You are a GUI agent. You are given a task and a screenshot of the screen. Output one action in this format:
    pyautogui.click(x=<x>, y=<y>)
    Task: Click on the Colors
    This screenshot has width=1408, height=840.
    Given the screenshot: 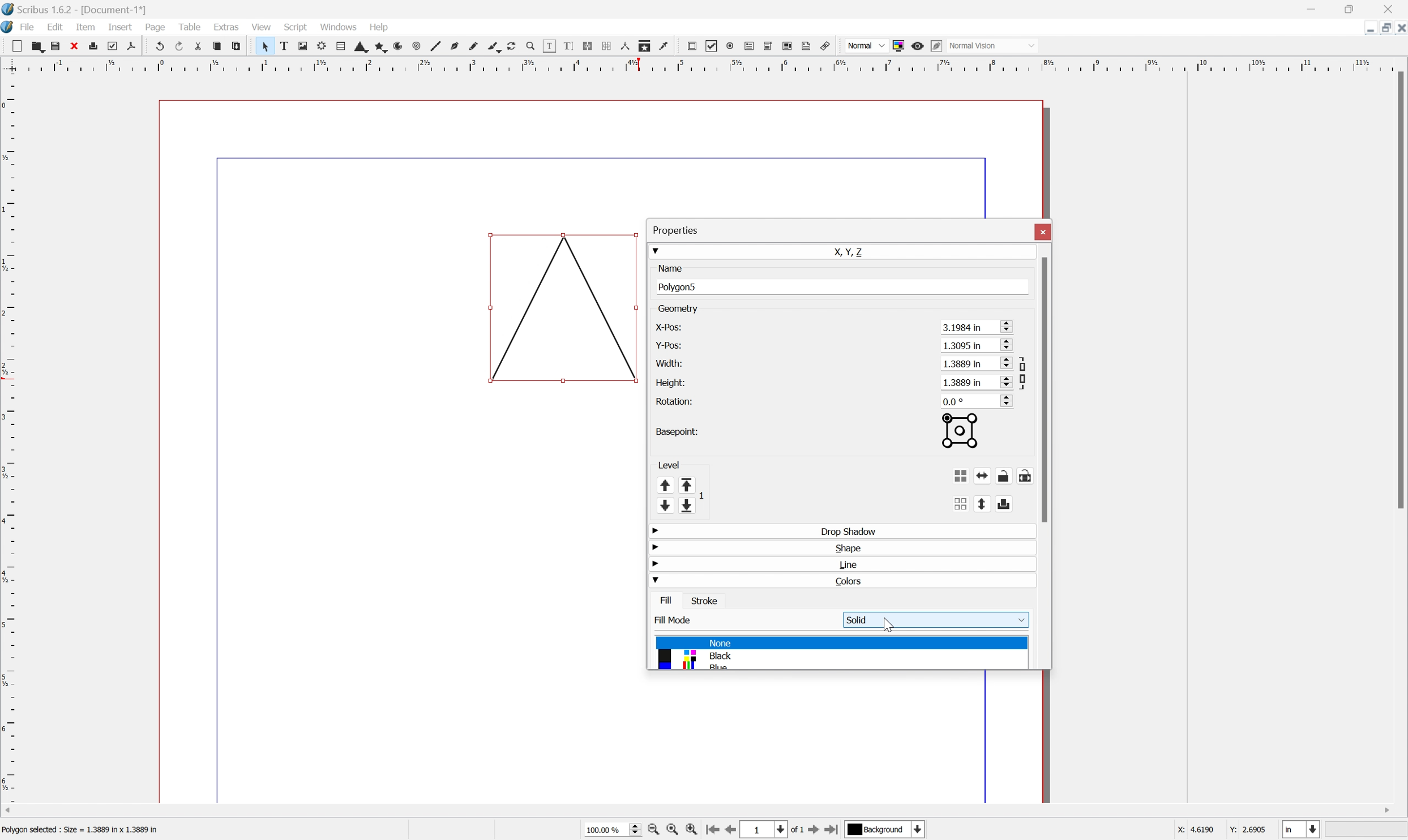 What is the action you would take?
    pyautogui.click(x=705, y=653)
    